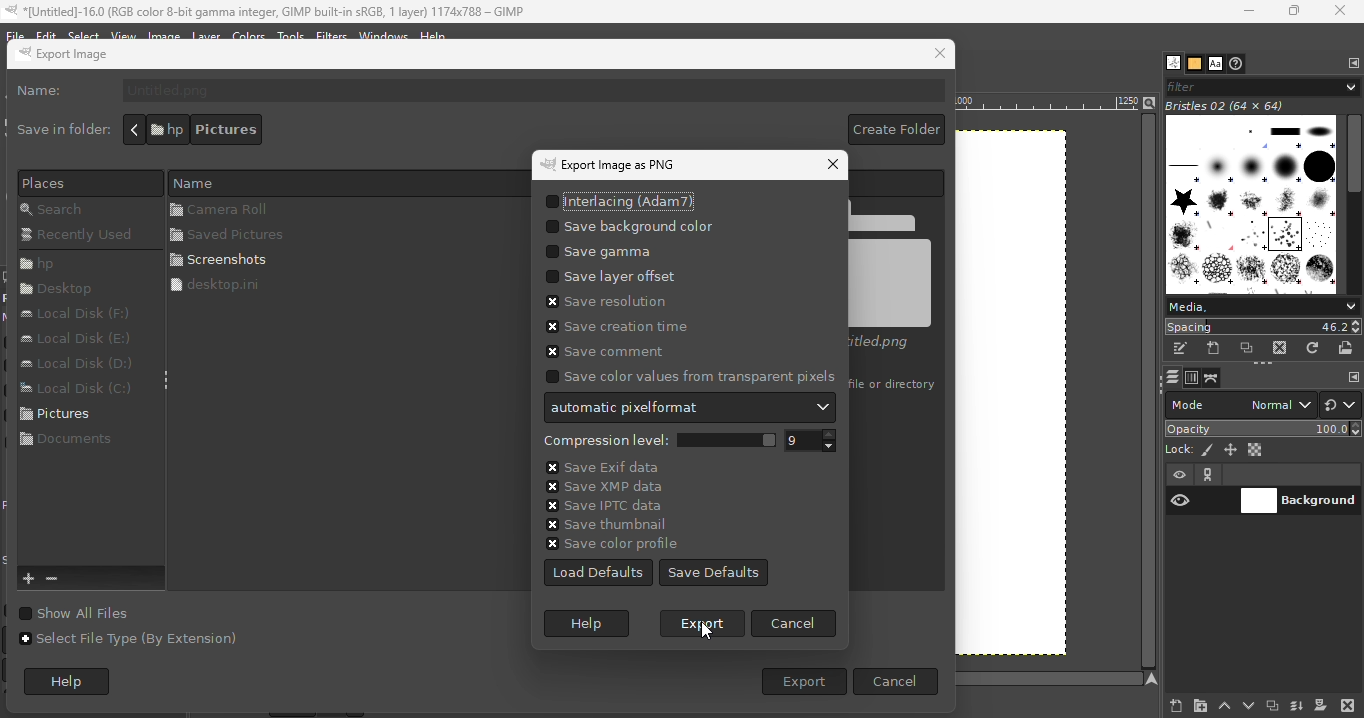 Image resolution: width=1364 pixels, height=718 pixels. What do you see at coordinates (532, 91) in the screenshot?
I see `Untitled.png` at bounding box center [532, 91].